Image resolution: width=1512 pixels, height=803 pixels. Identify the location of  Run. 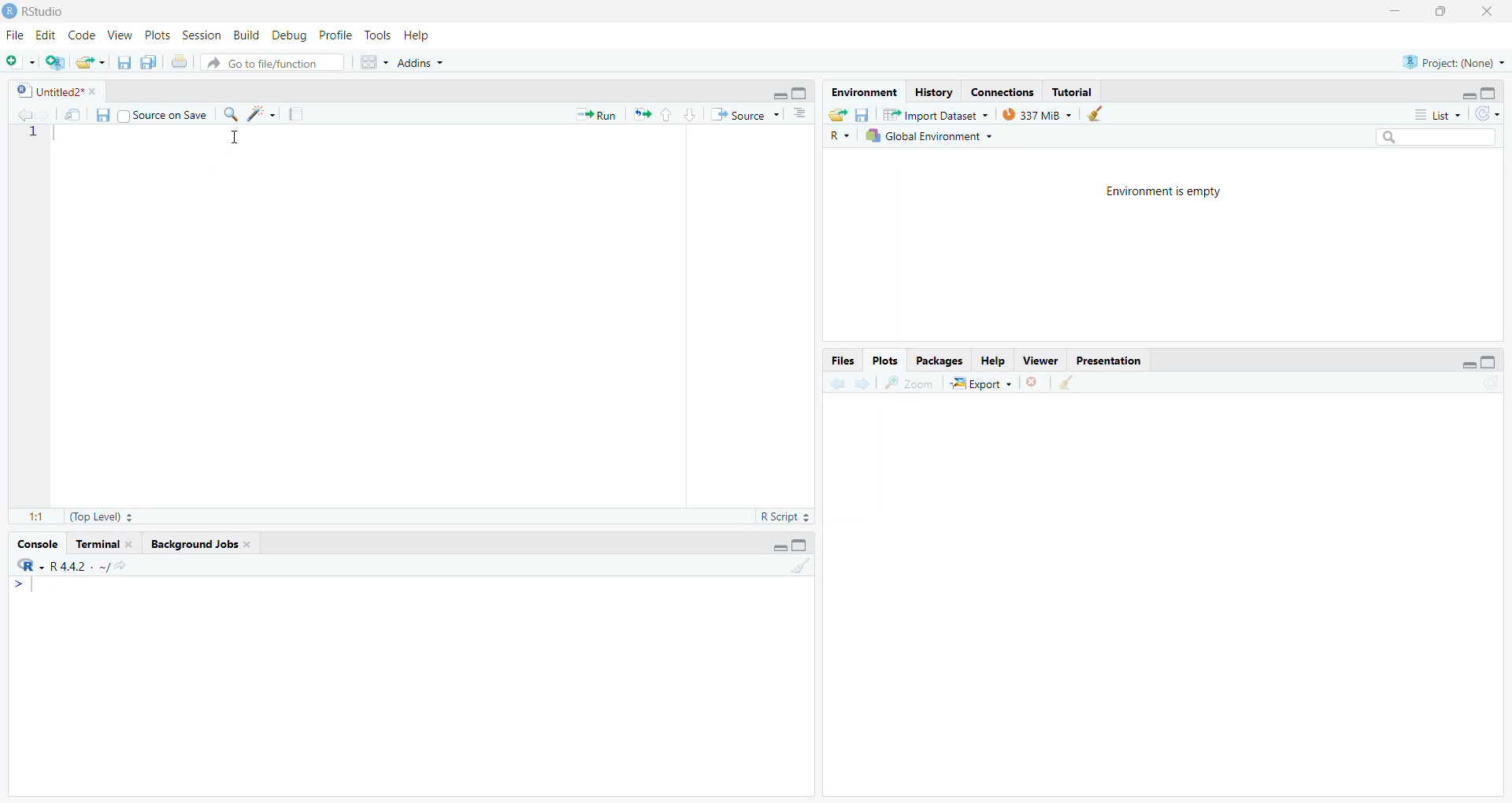
(592, 115).